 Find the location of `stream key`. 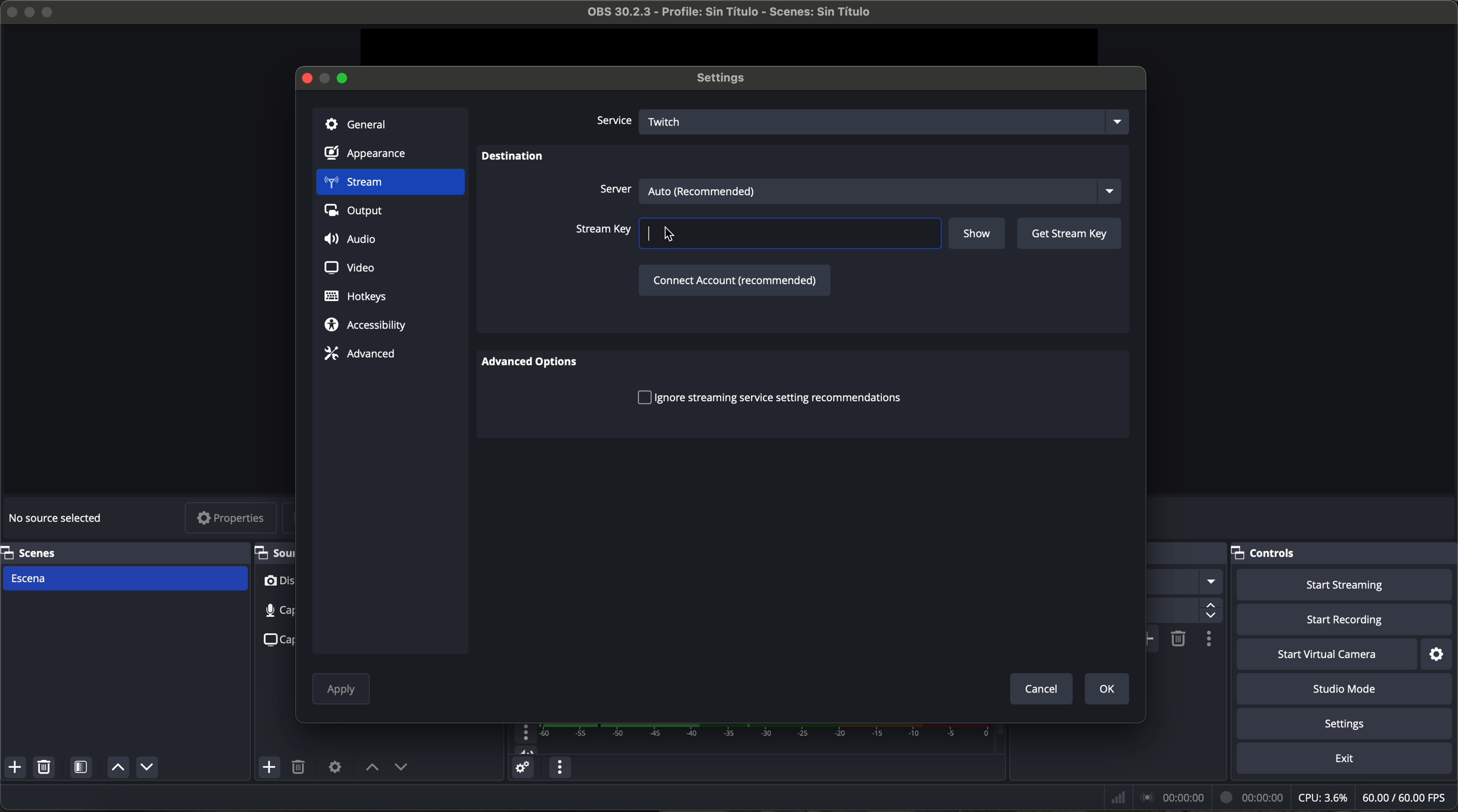

stream key is located at coordinates (757, 233).